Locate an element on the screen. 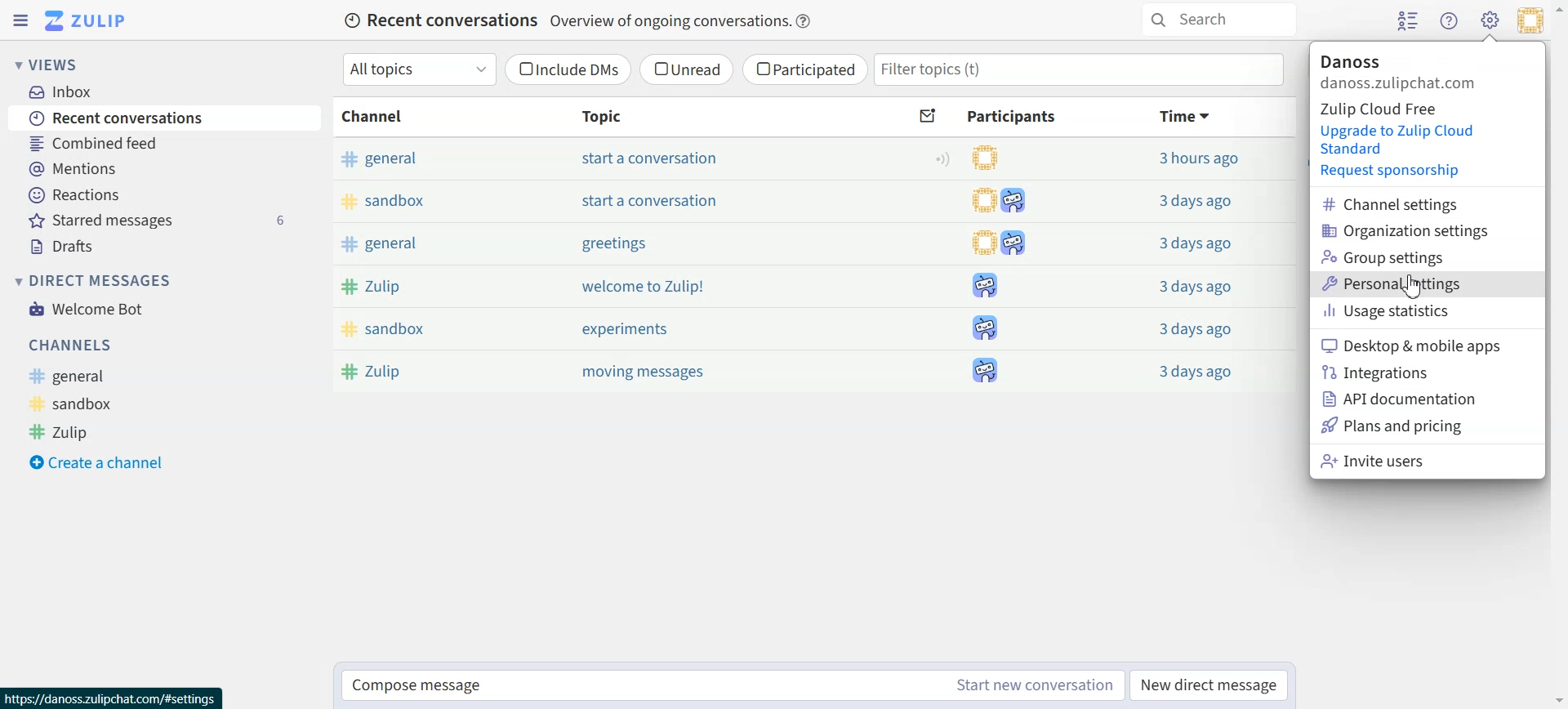 This screenshot has height=709, width=1568. participants is located at coordinates (984, 158).